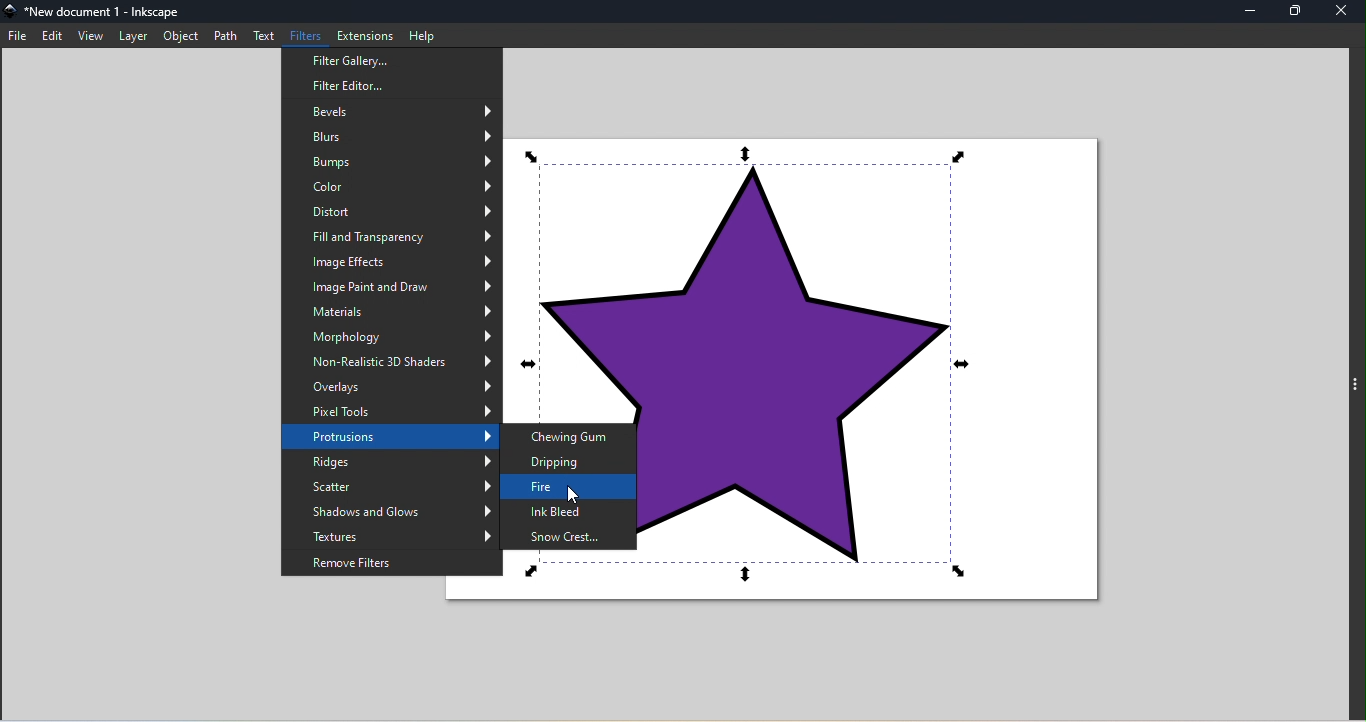 Image resolution: width=1366 pixels, height=722 pixels. Describe the element at coordinates (393, 262) in the screenshot. I see `Image effects` at that location.